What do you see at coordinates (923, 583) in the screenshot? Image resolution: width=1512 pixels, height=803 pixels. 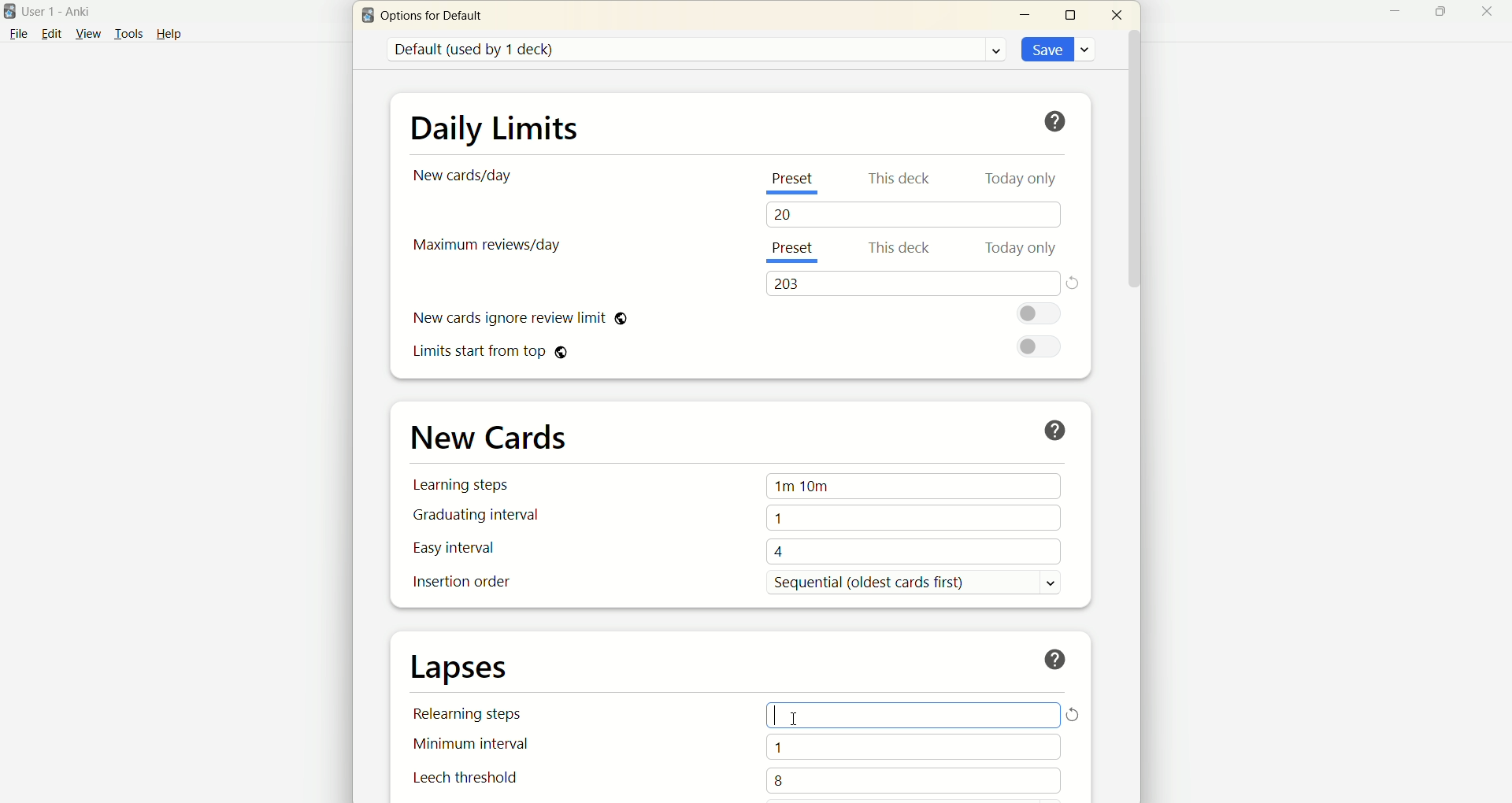 I see `sequential` at bounding box center [923, 583].